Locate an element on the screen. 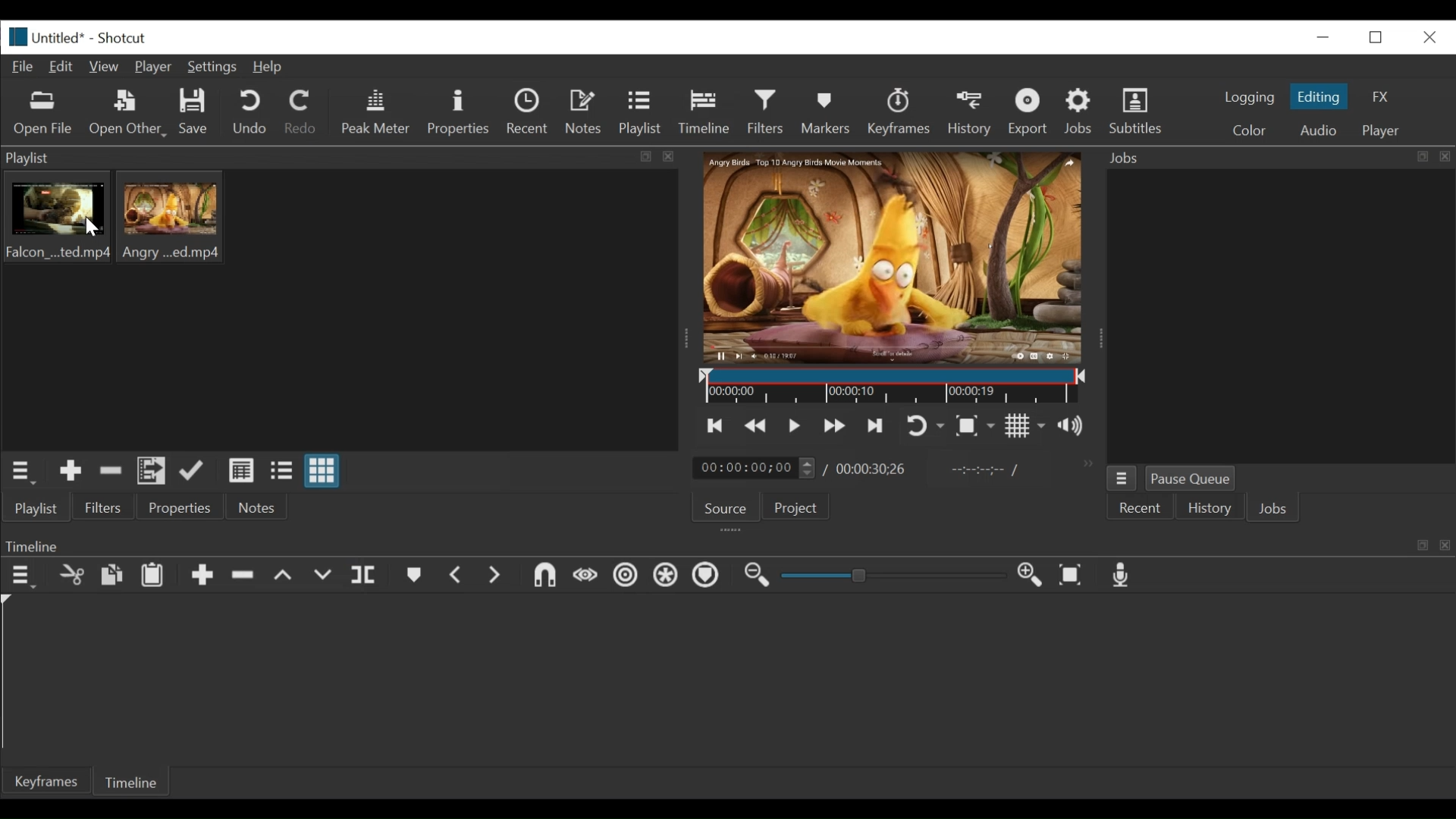 The width and height of the screenshot is (1456, 819). current duration is located at coordinates (756, 469).